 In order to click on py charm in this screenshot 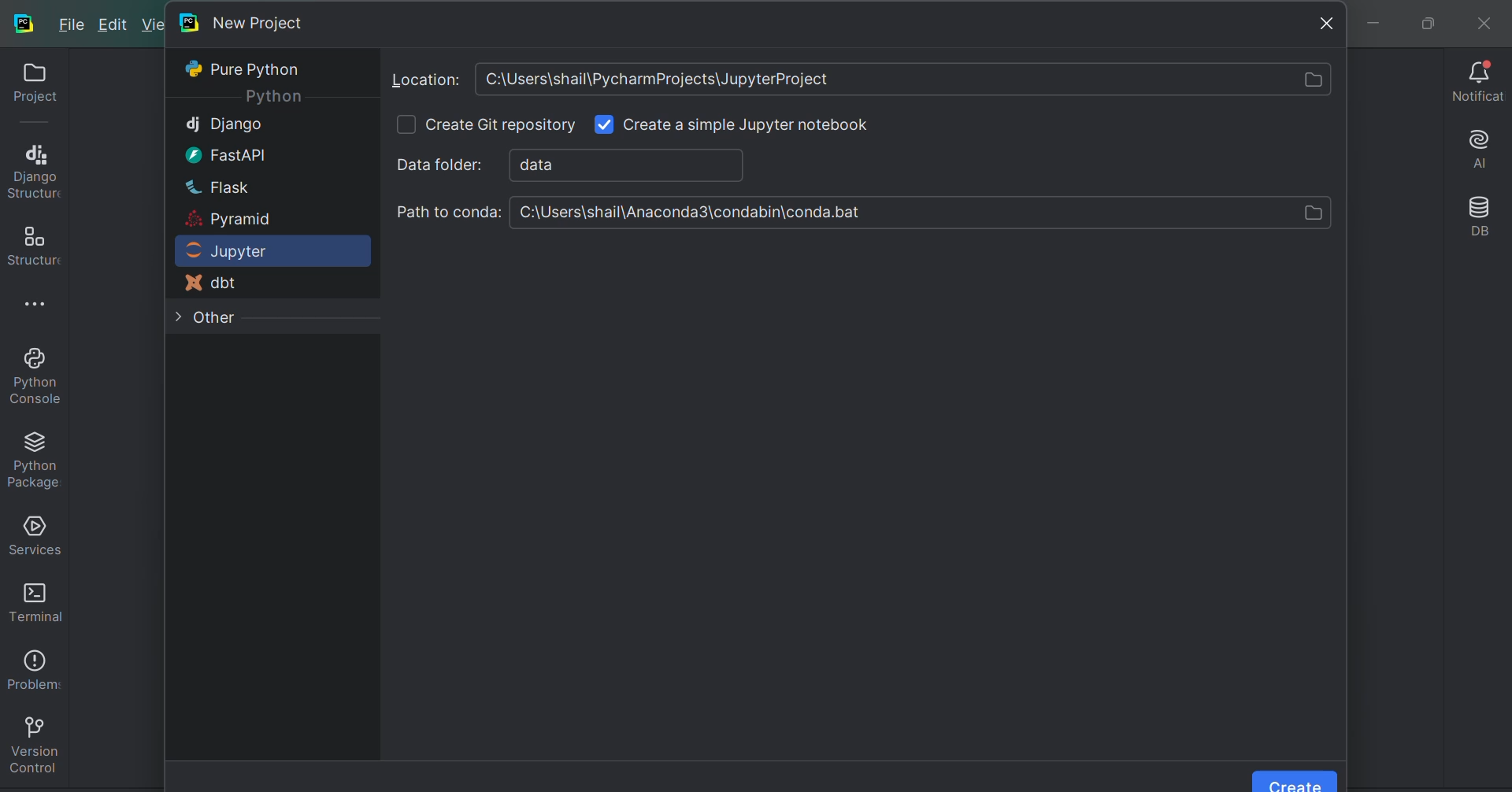, I will do `click(25, 21)`.